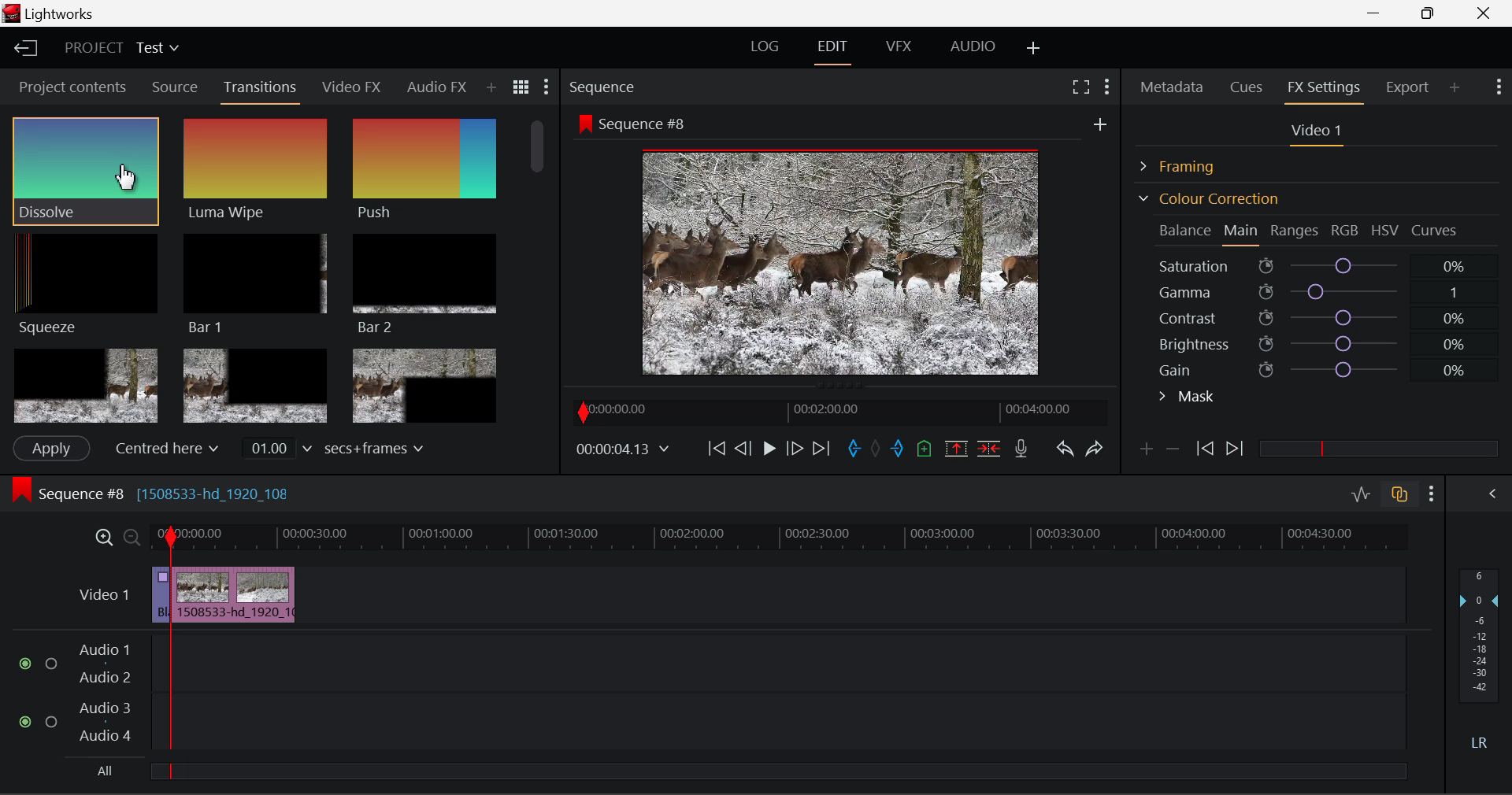  What do you see at coordinates (1242, 232) in the screenshot?
I see `Main Tab Open` at bounding box center [1242, 232].